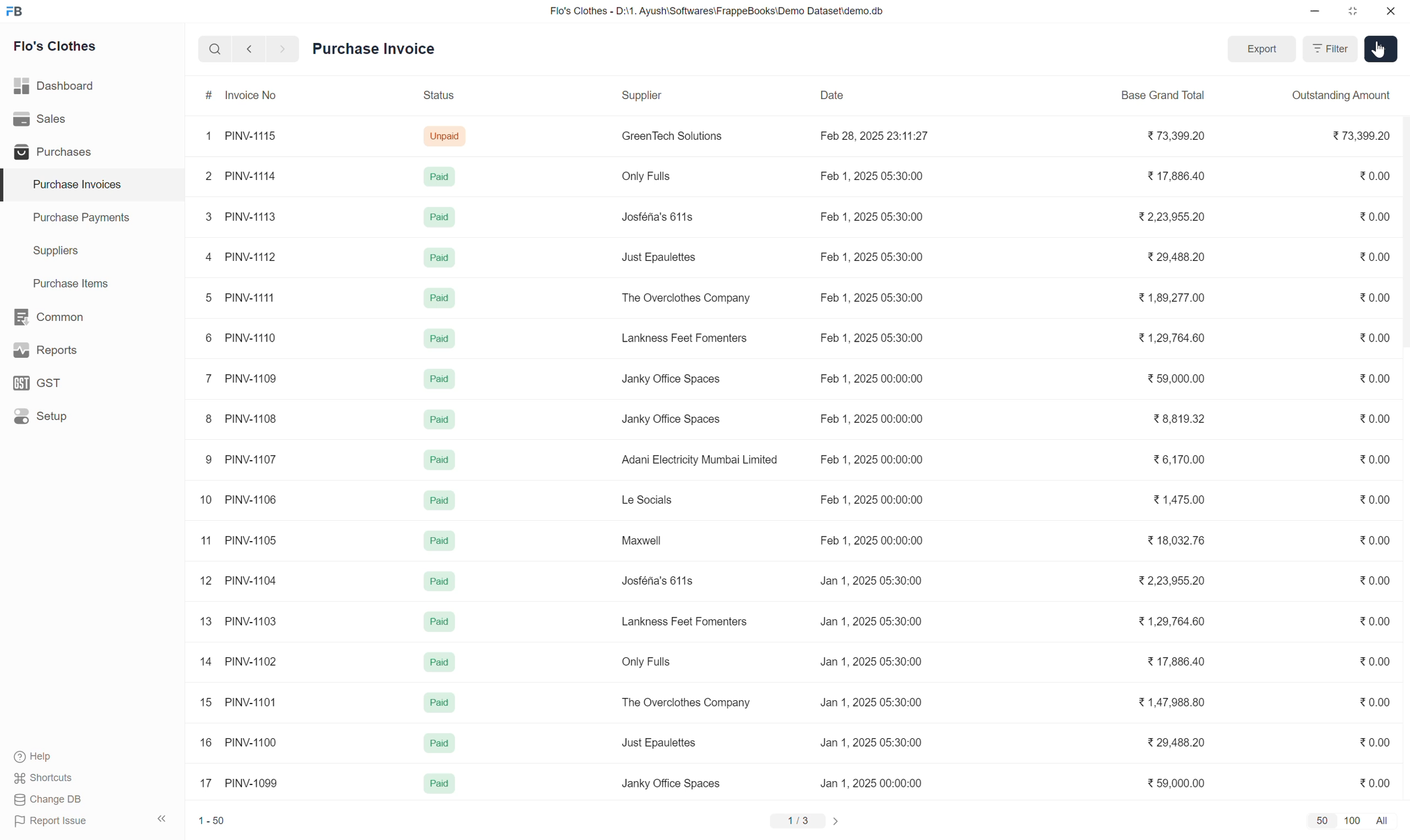 This screenshot has height=840, width=1410. What do you see at coordinates (437, 460) in the screenshot?
I see `Paid` at bounding box center [437, 460].